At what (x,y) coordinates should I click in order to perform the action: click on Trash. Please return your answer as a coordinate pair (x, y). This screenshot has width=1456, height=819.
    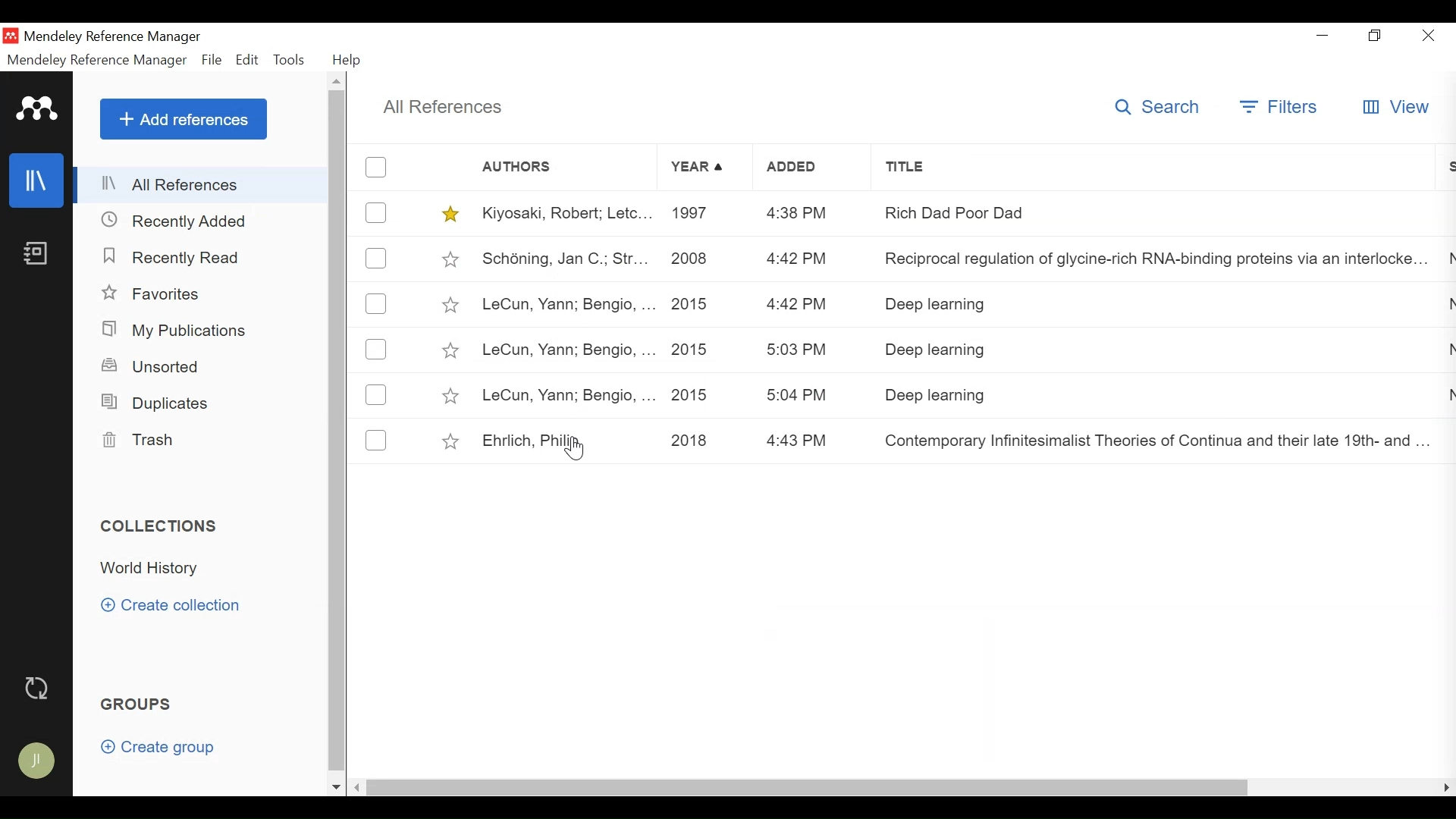
    Looking at the image, I should click on (142, 441).